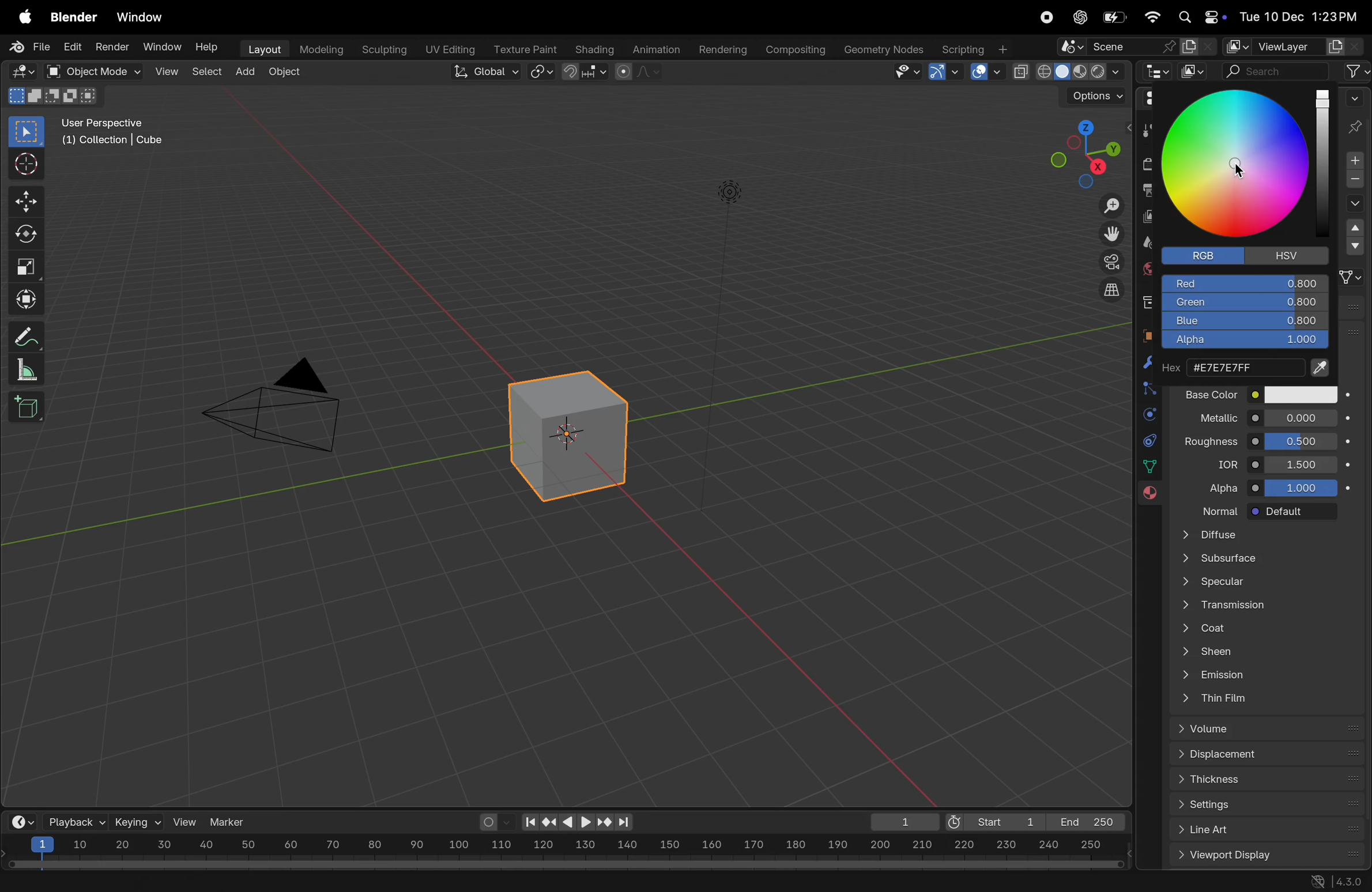 This screenshot has height=892, width=1372. I want to click on color, so click(1299, 394).